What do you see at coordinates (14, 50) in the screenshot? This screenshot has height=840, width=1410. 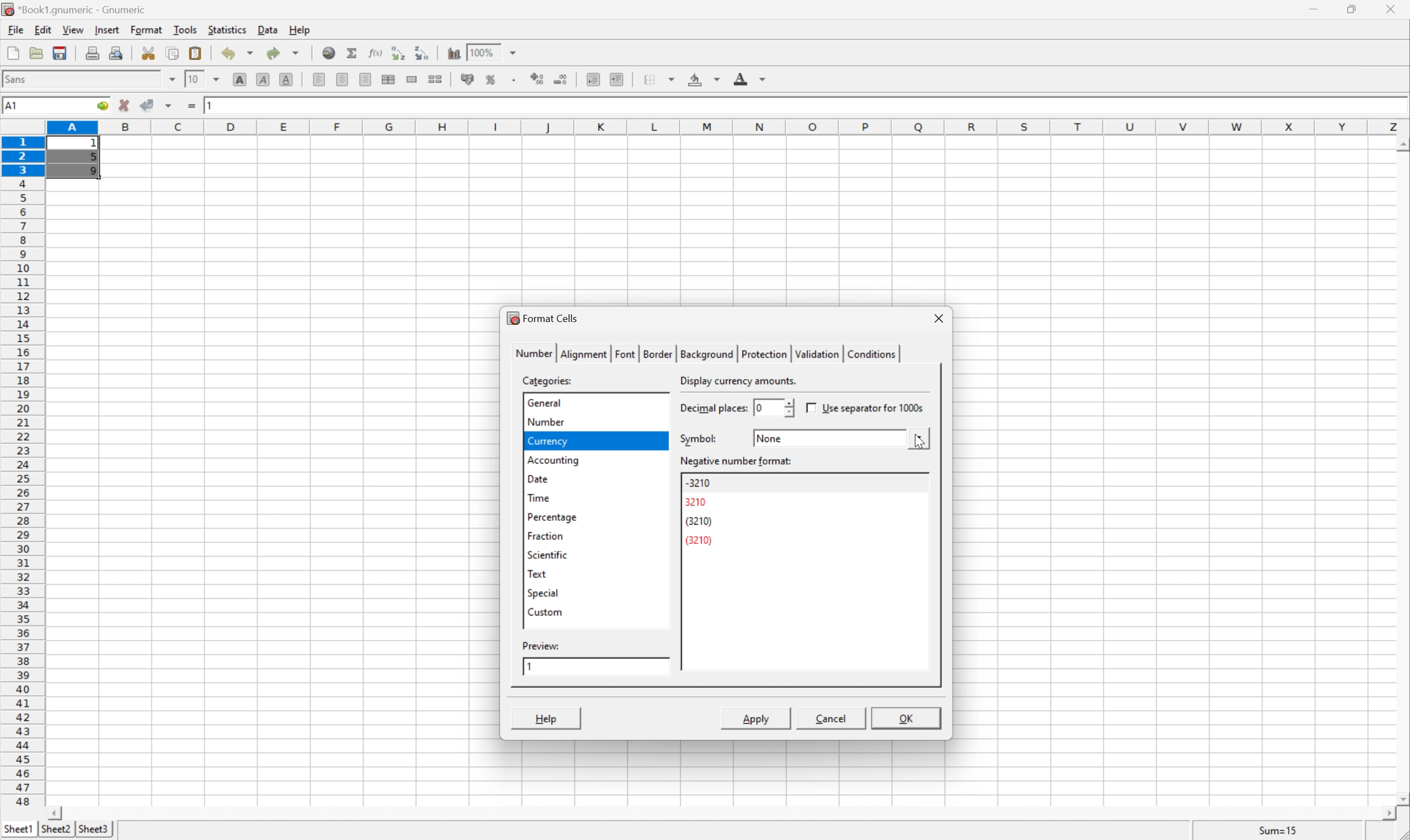 I see `new` at bounding box center [14, 50].